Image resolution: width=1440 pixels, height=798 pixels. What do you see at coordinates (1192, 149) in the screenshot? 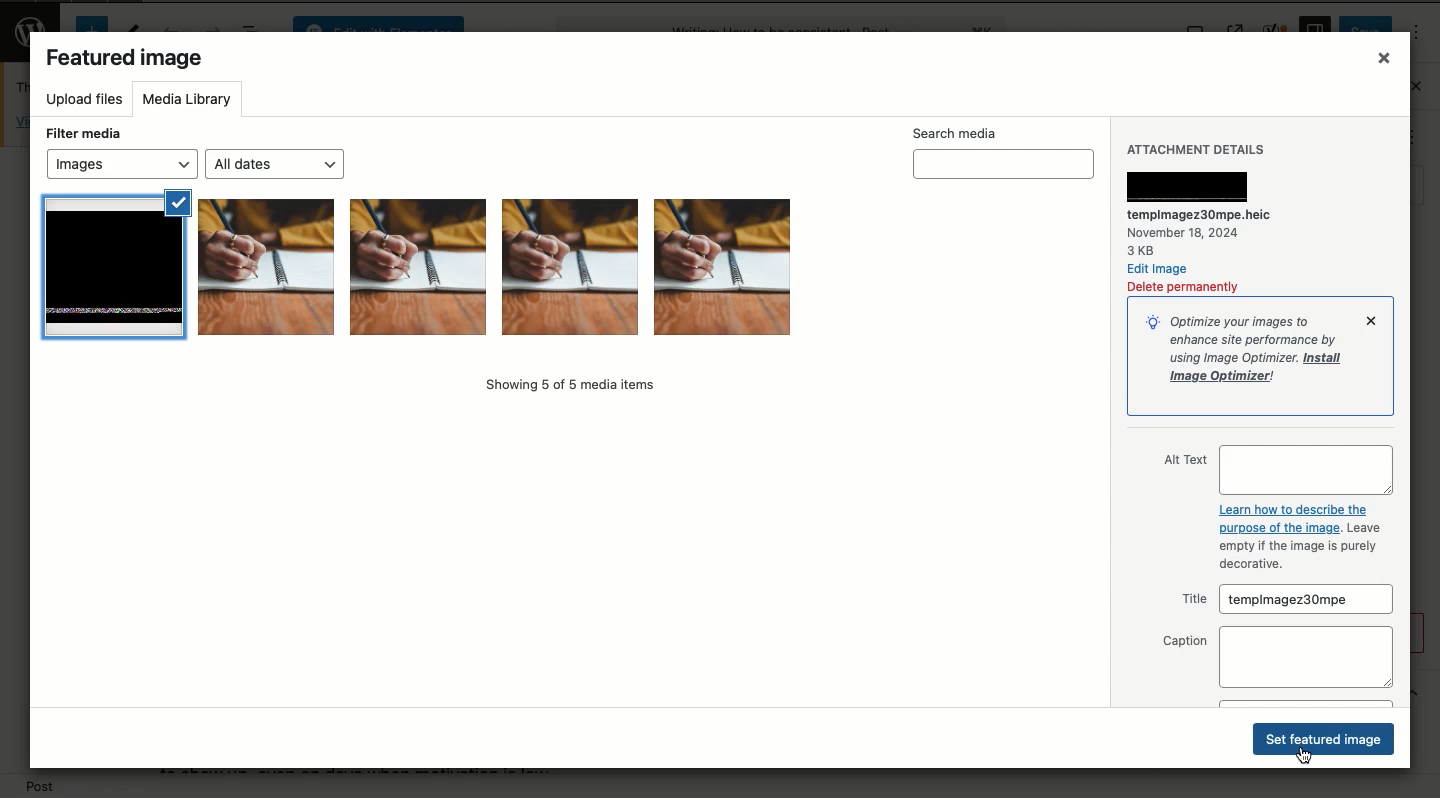
I see `Attachment details` at bounding box center [1192, 149].